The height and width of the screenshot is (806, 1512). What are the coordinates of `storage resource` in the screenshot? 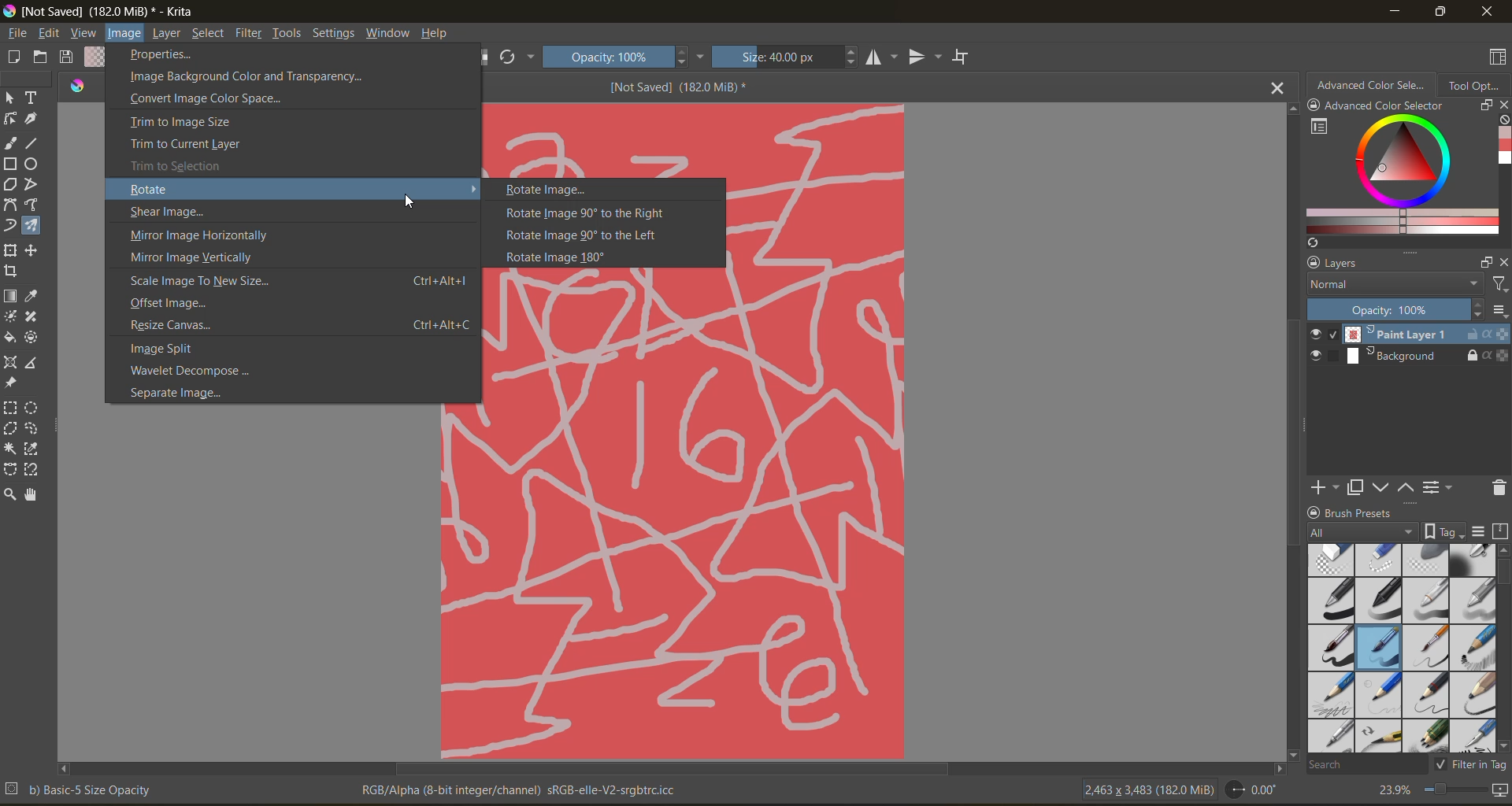 It's located at (1499, 533).